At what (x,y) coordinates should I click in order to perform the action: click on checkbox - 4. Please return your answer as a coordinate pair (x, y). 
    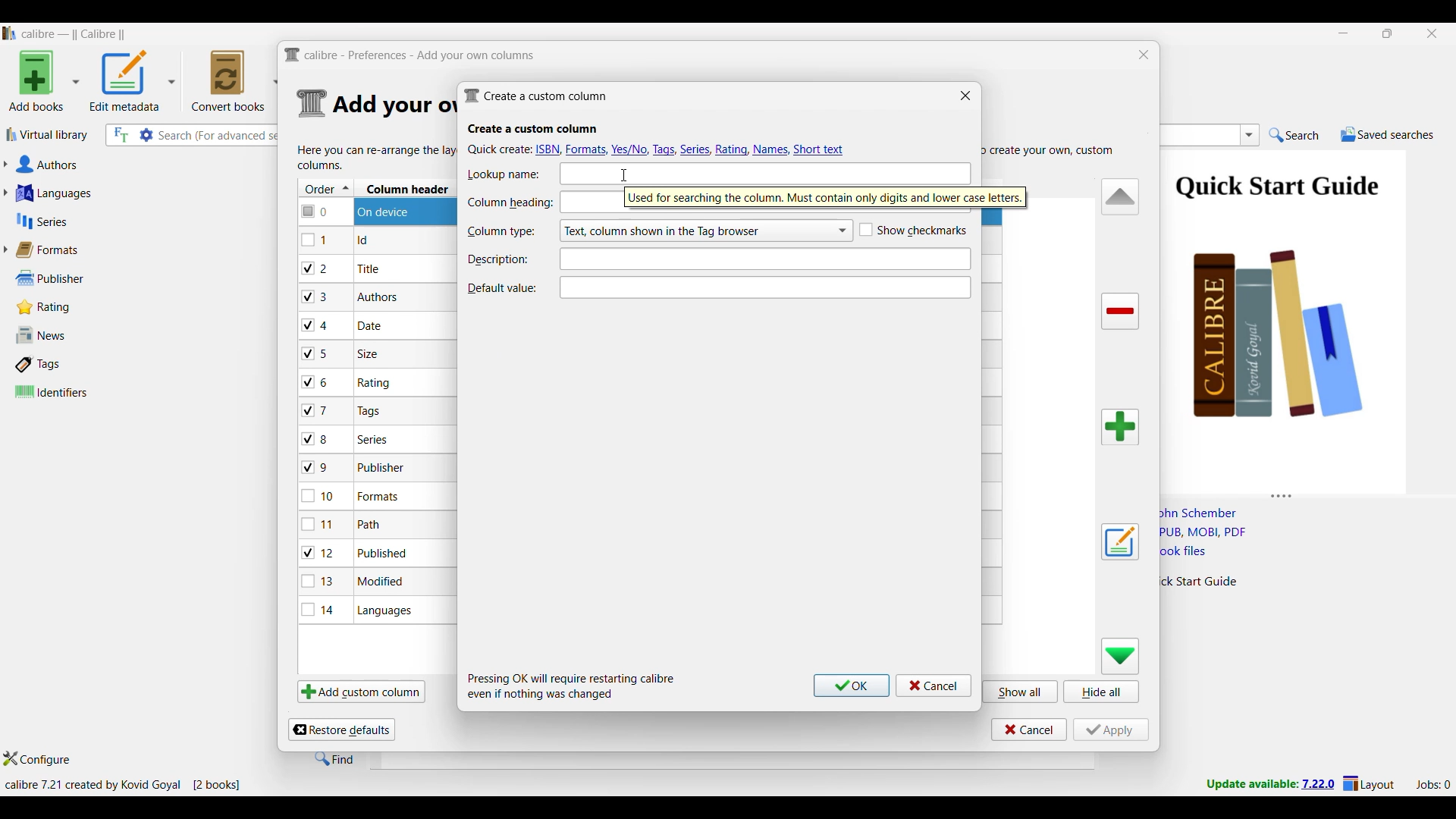
    Looking at the image, I should click on (315, 325).